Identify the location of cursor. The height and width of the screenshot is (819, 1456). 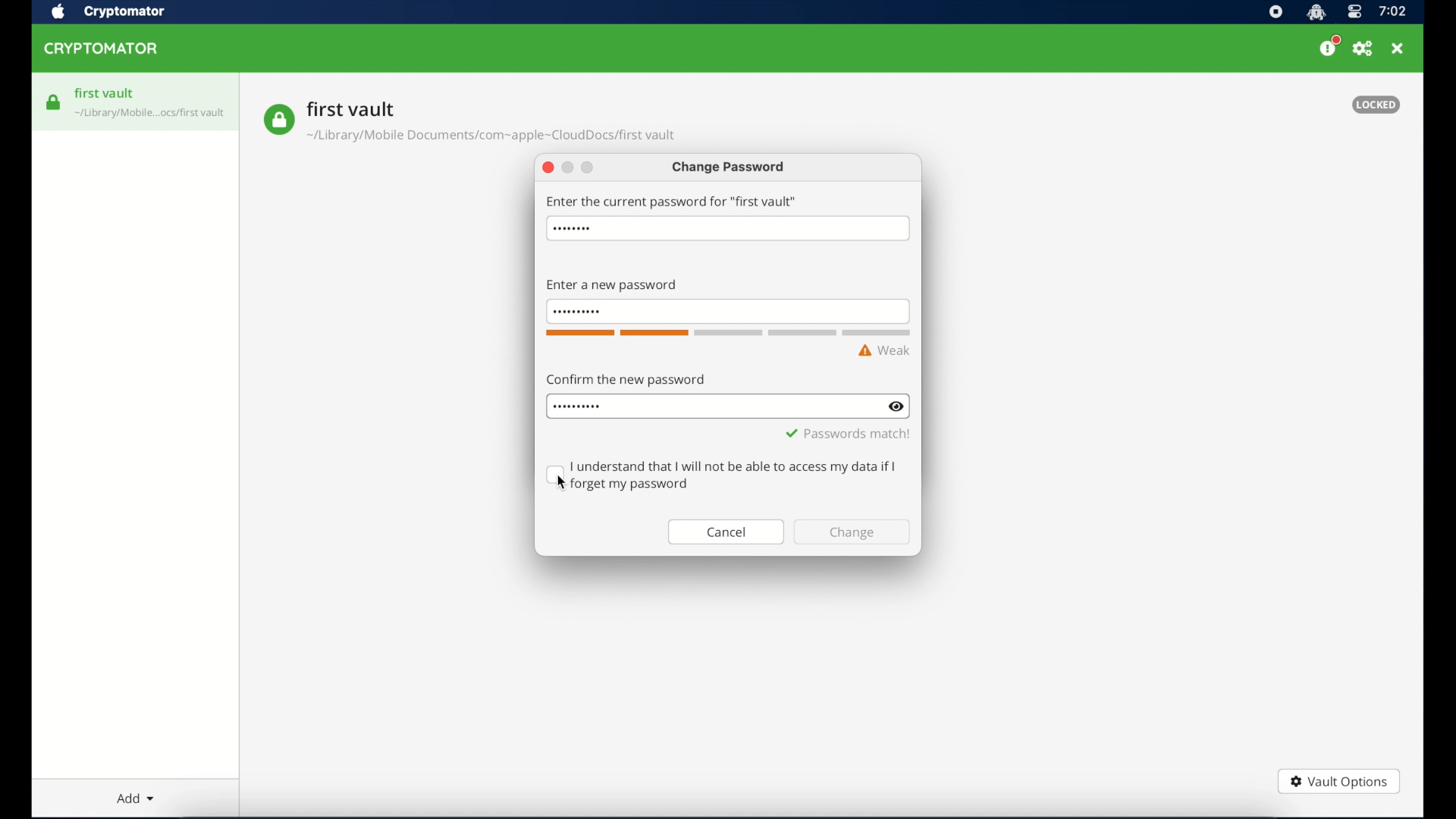
(561, 482).